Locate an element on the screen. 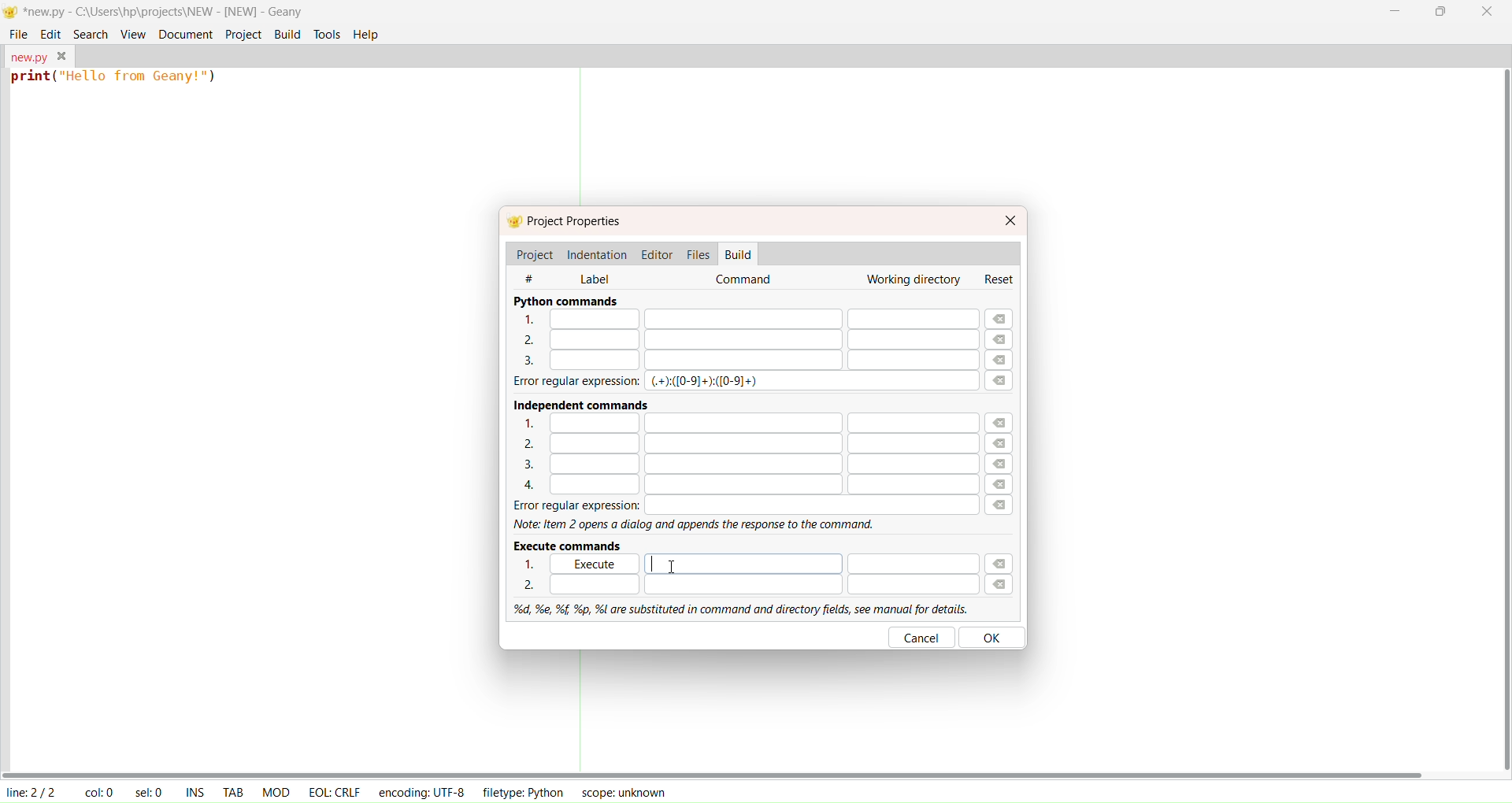  INS is located at coordinates (195, 790).